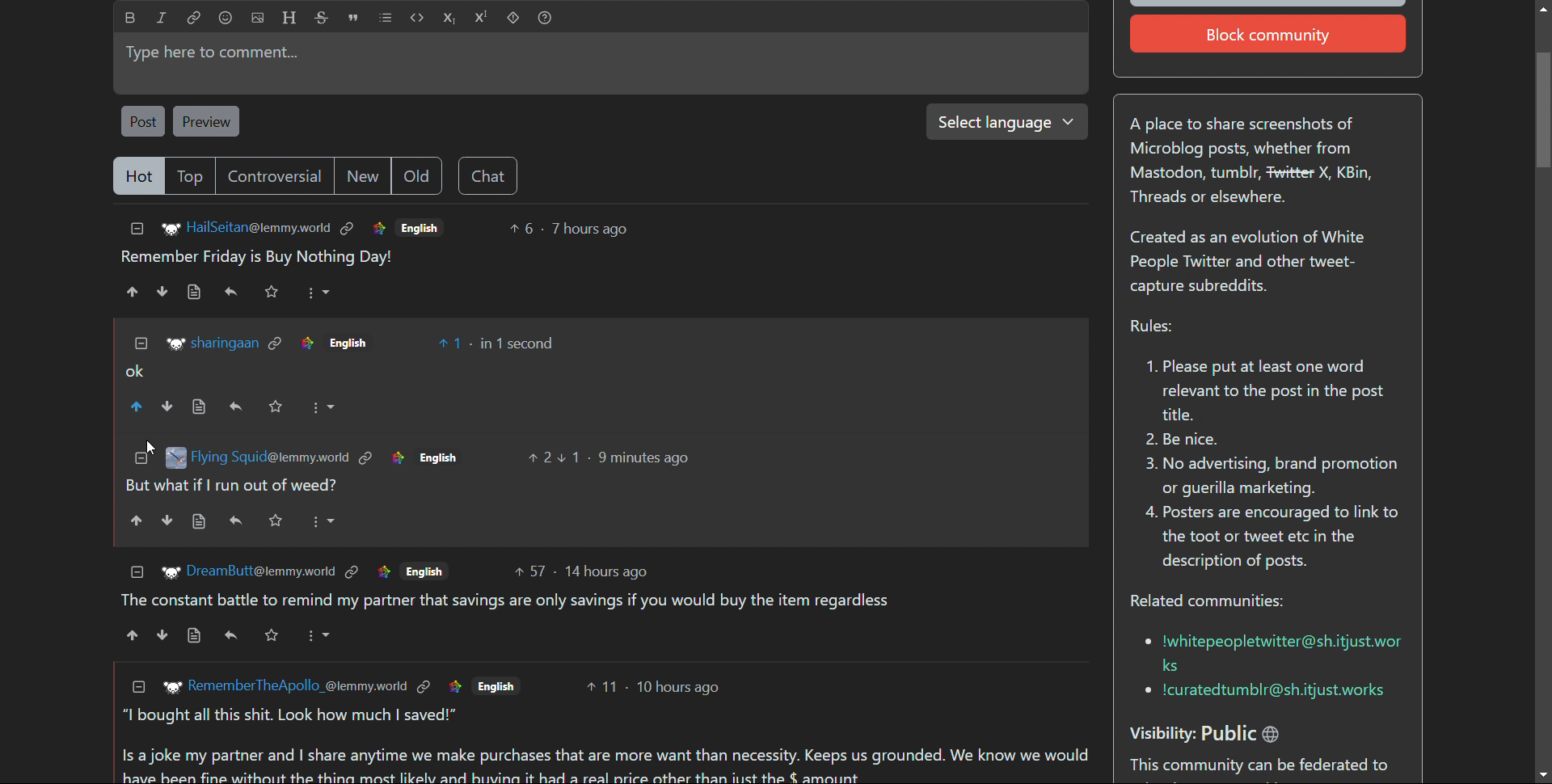 Image resolution: width=1552 pixels, height=784 pixels. Describe the element at coordinates (597, 63) in the screenshot. I see `type here to comment` at that location.